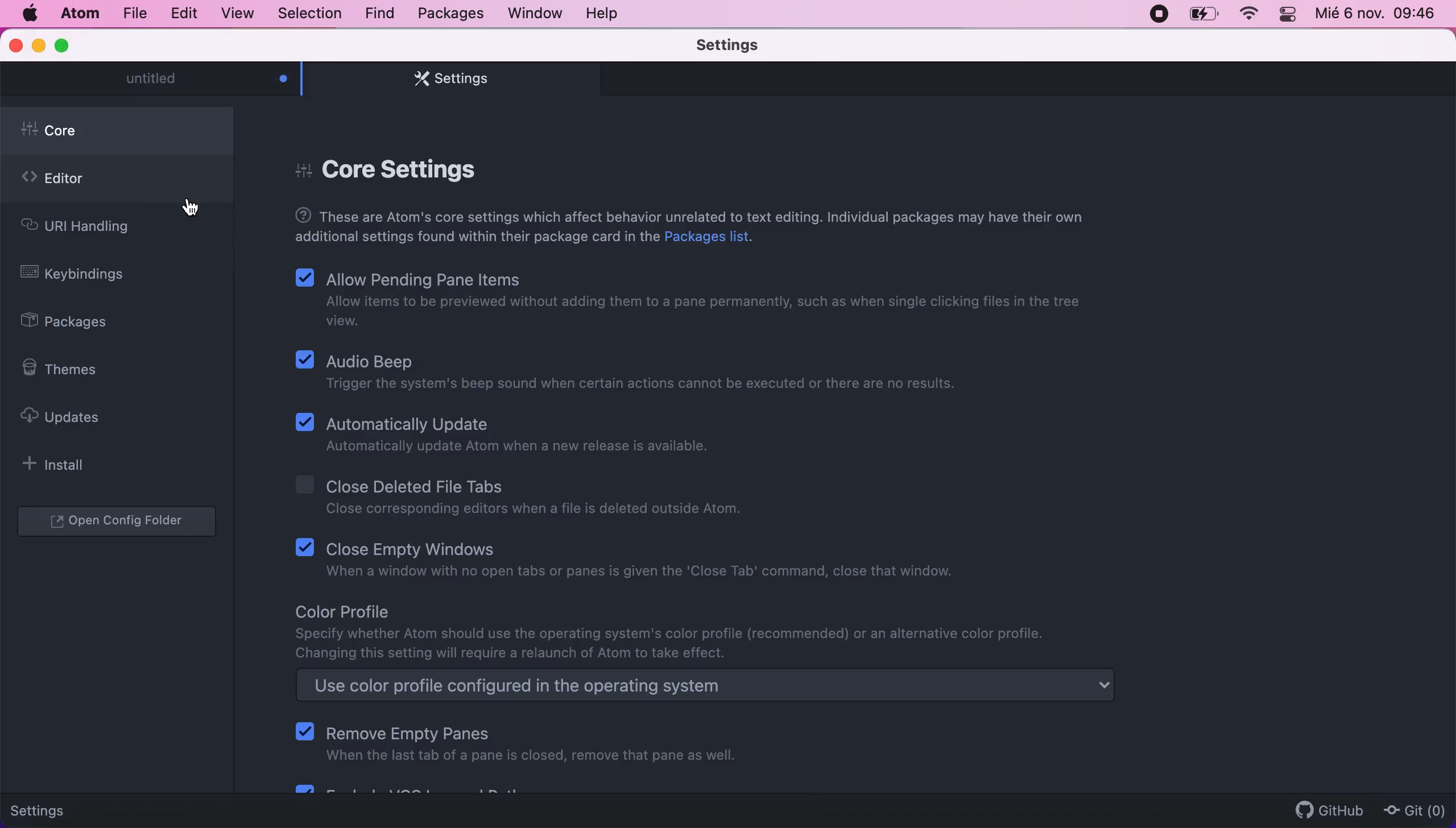 The width and height of the screenshot is (1456, 828). What do you see at coordinates (78, 462) in the screenshot?
I see `install` at bounding box center [78, 462].